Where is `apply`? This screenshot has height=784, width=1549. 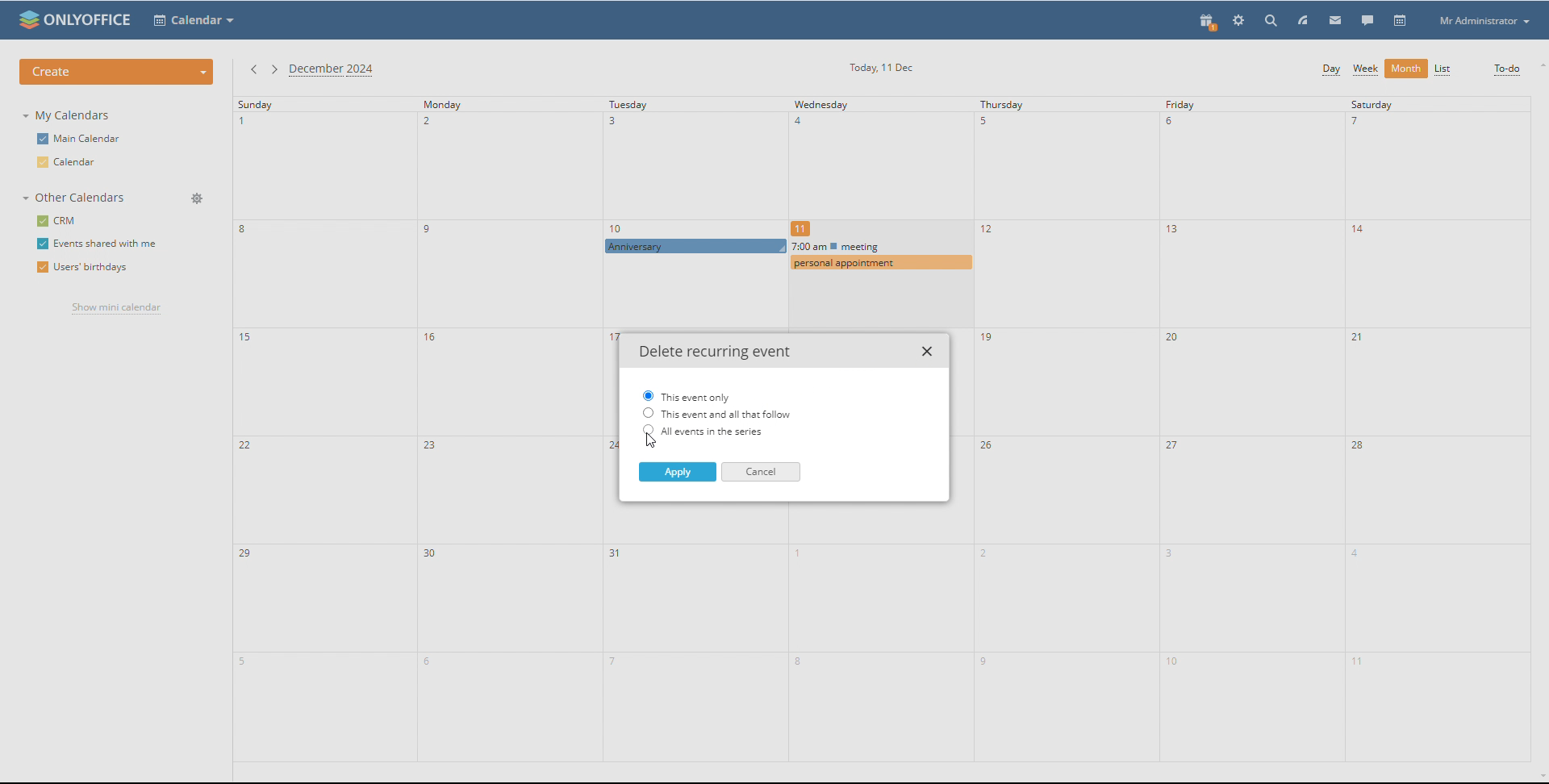 apply is located at coordinates (677, 472).